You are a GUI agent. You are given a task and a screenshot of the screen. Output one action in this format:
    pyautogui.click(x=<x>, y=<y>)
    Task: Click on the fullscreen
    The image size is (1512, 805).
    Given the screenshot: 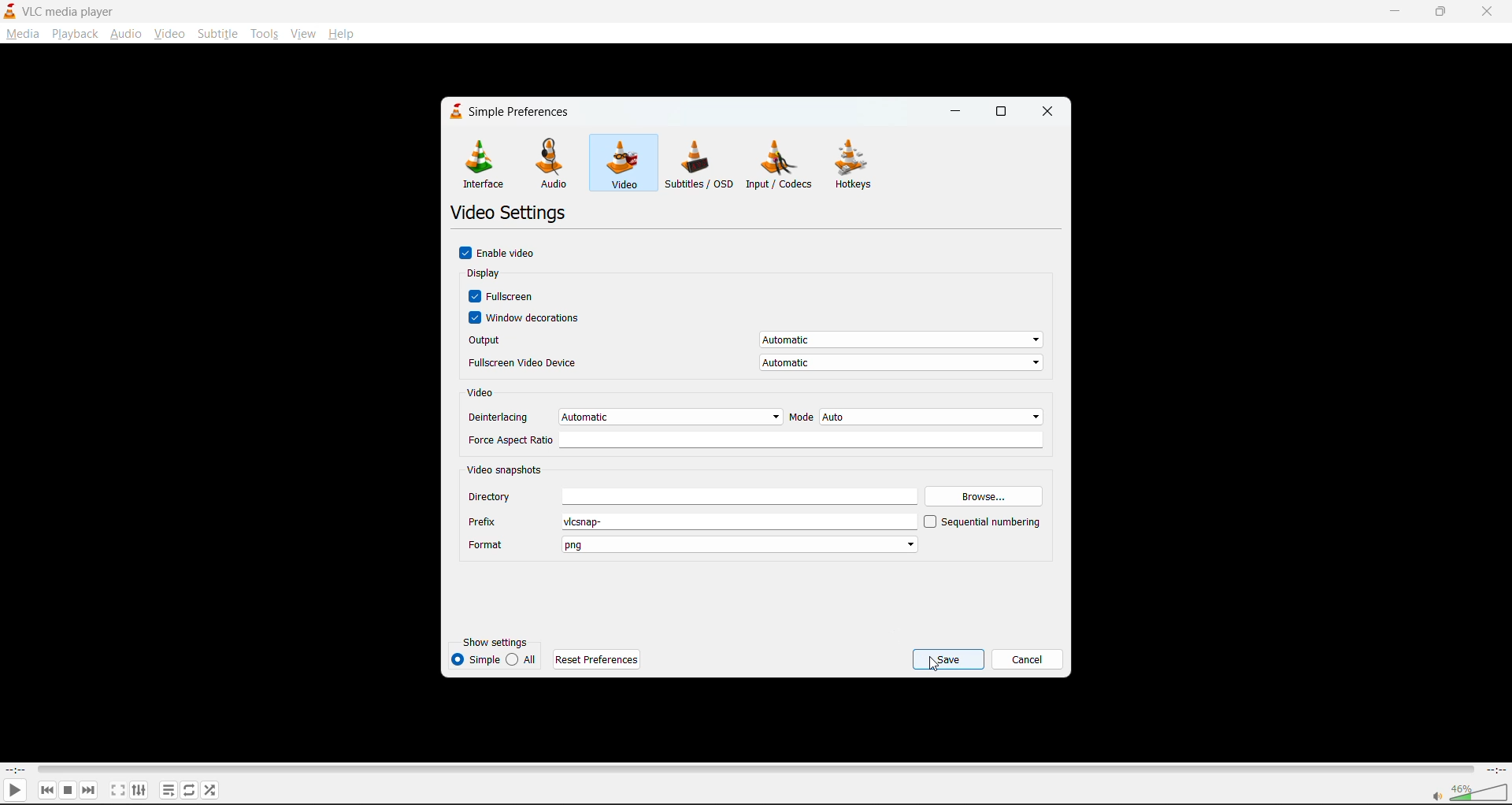 What is the action you would take?
    pyautogui.click(x=504, y=296)
    